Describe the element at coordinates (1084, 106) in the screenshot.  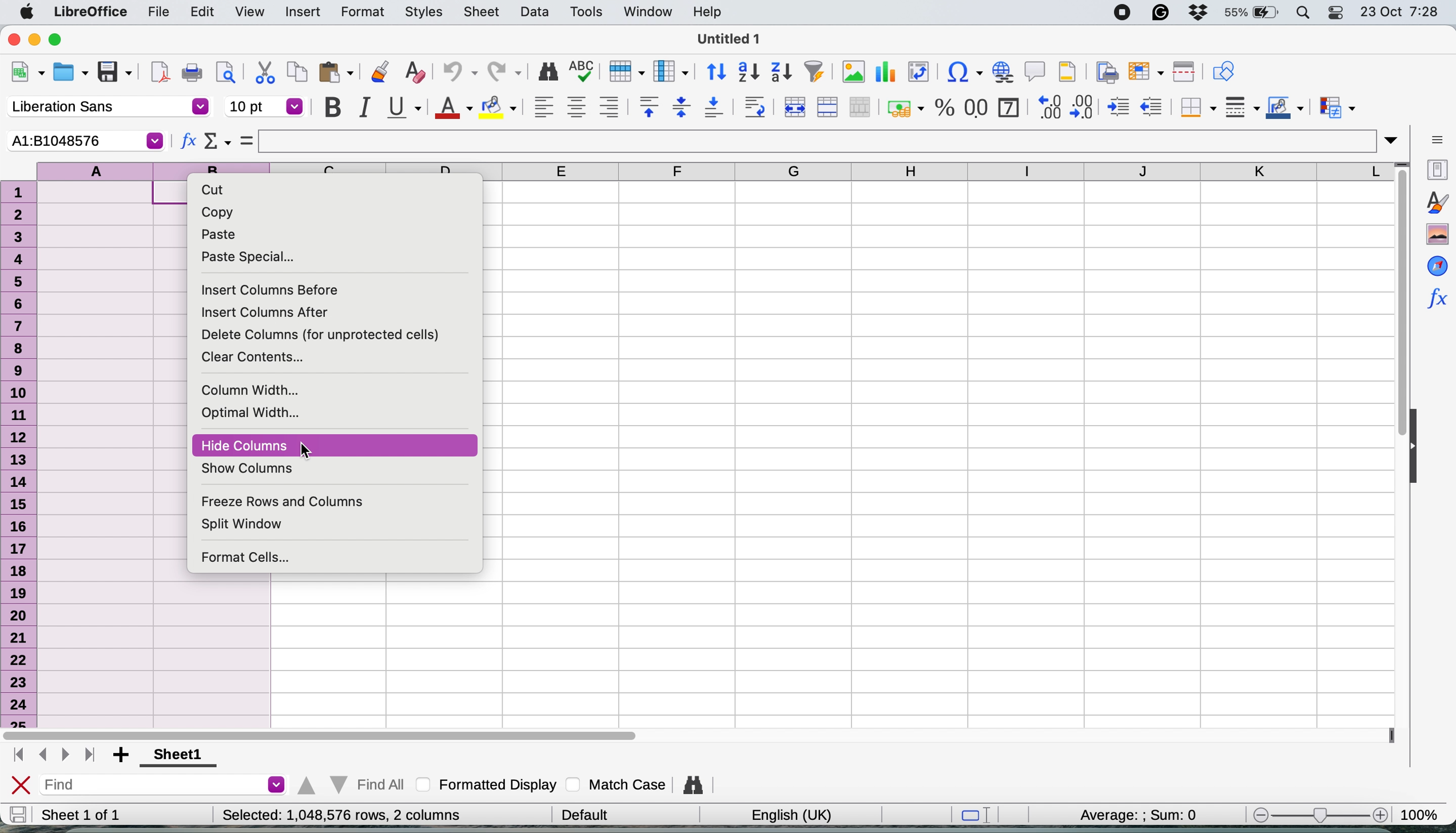
I see `reduce decimal` at that location.